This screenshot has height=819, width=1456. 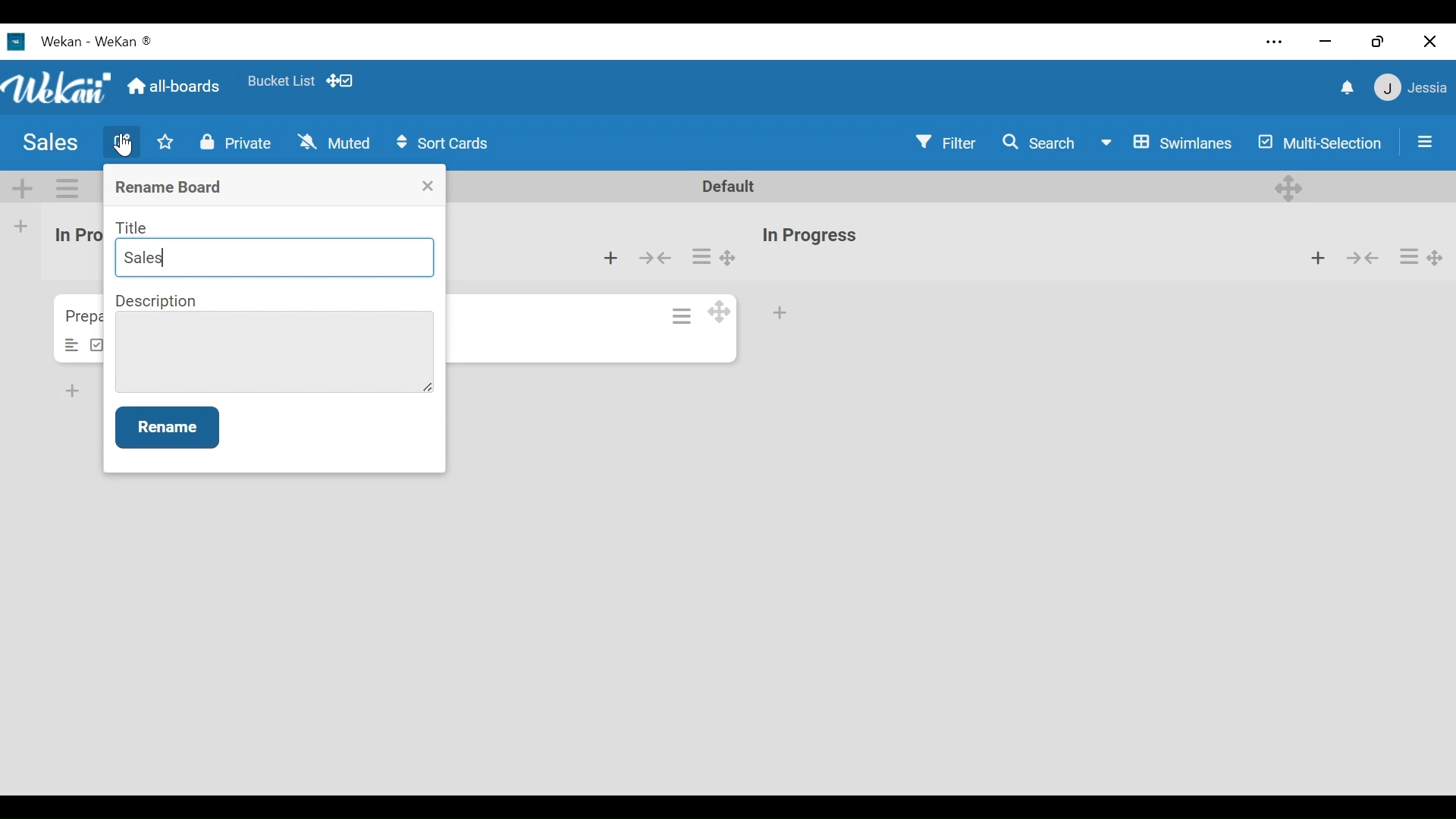 What do you see at coordinates (56, 88) in the screenshot?
I see `Wekan logo` at bounding box center [56, 88].